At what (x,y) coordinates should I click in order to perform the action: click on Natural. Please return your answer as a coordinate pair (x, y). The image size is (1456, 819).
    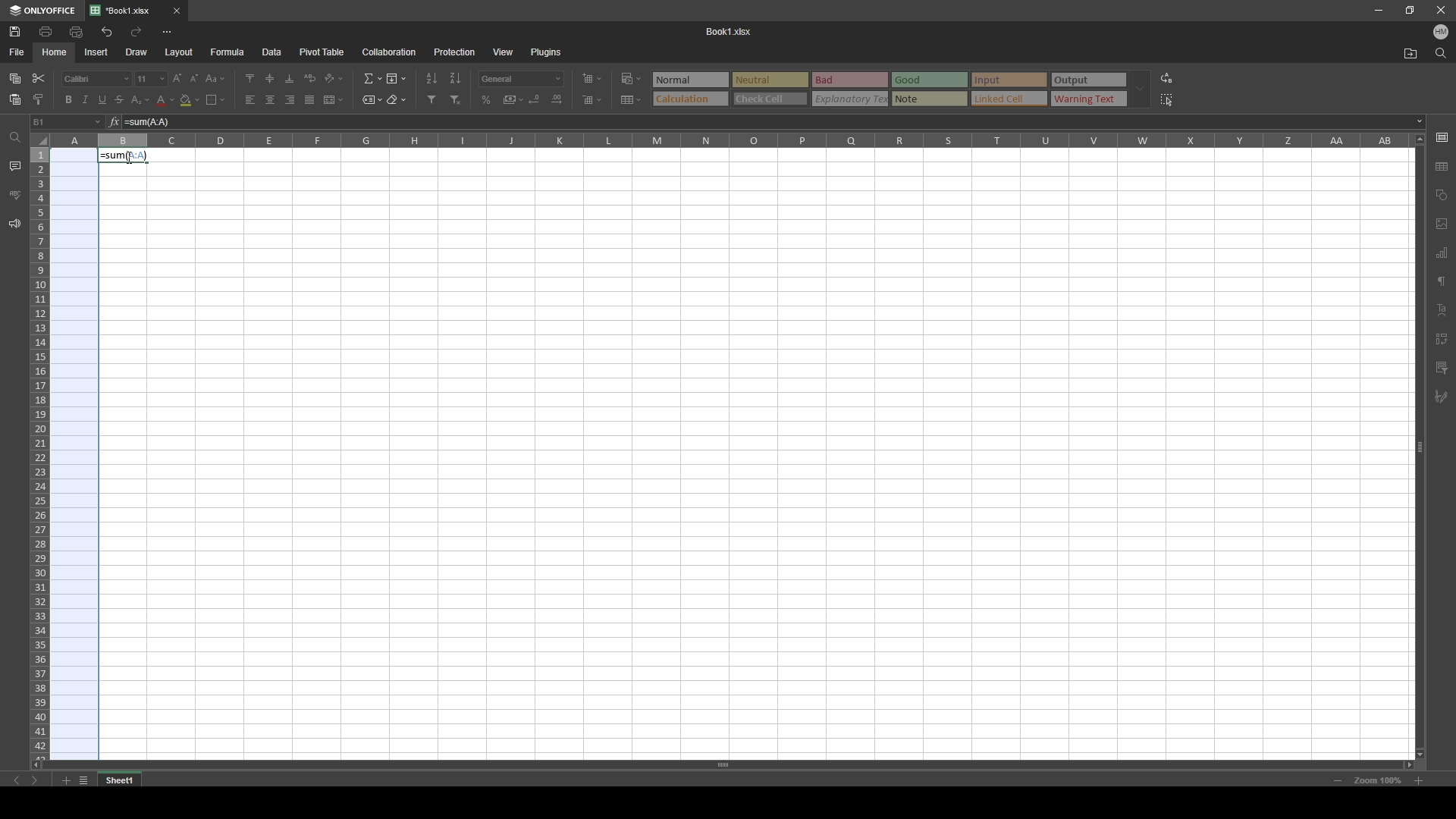
    Looking at the image, I should click on (769, 79).